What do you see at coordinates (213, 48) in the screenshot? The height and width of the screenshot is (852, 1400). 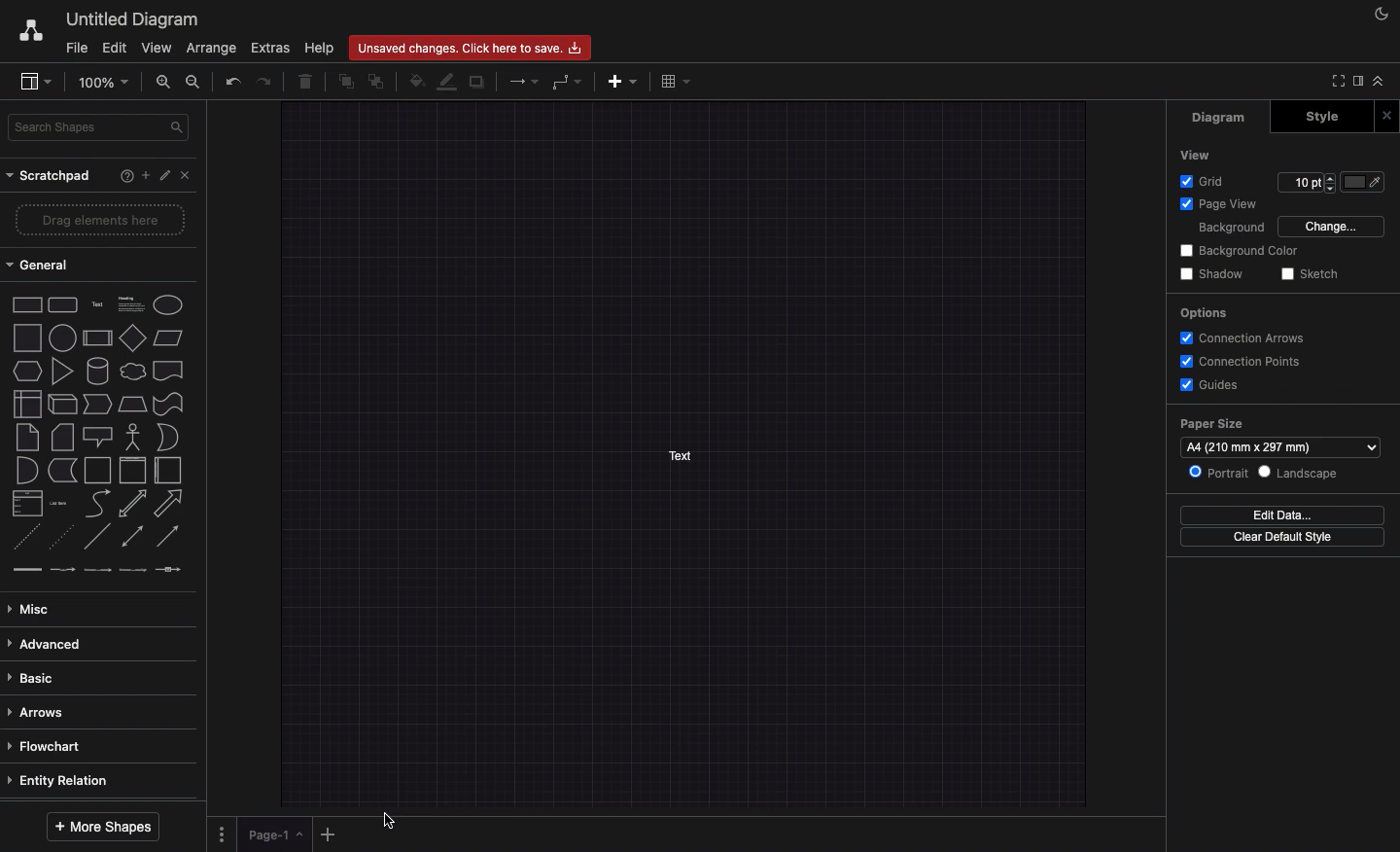 I see `Arrange` at bounding box center [213, 48].